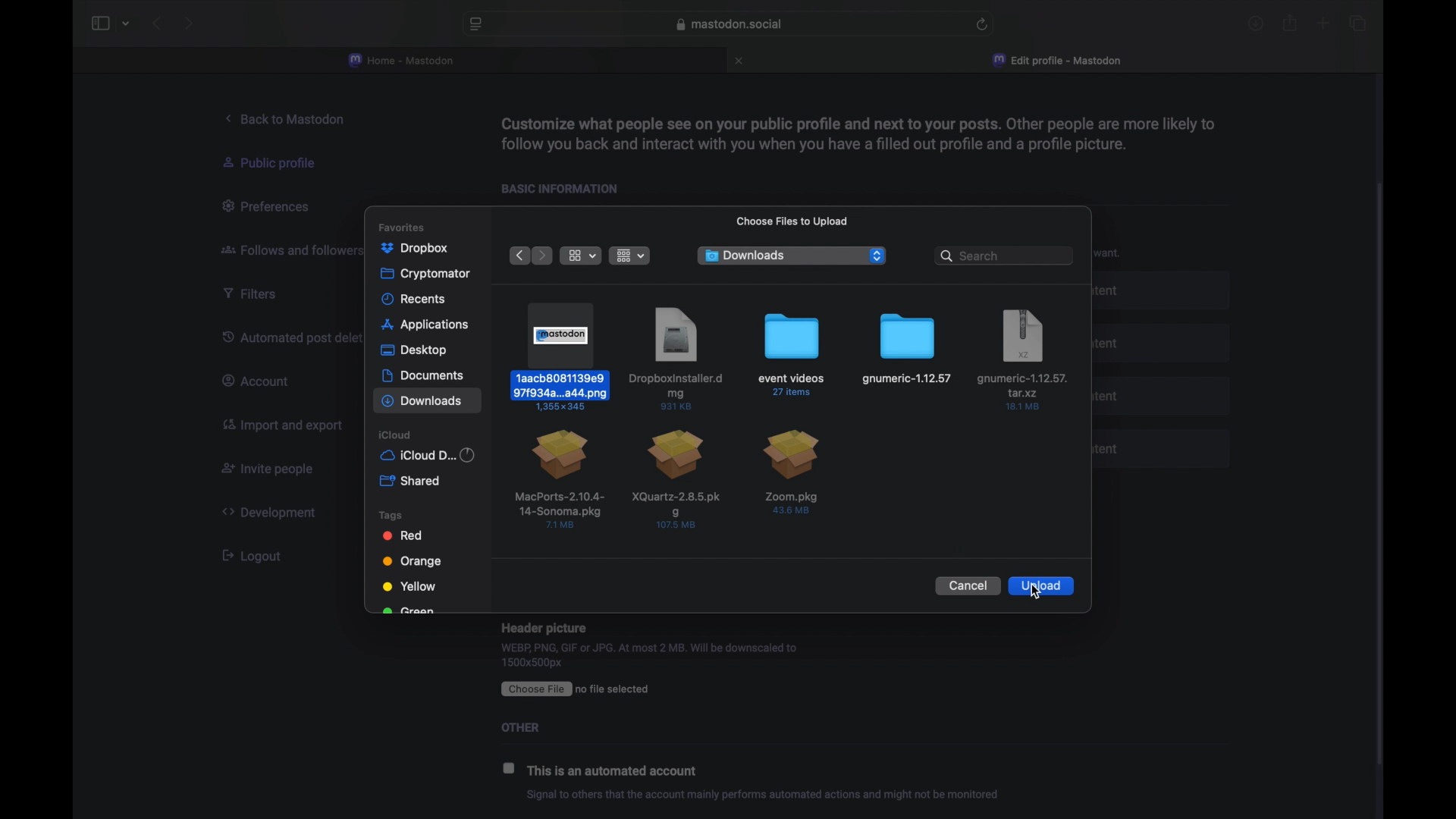 Image resolution: width=1456 pixels, height=819 pixels. What do you see at coordinates (746, 255) in the screenshot?
I see `downloads` at bounding box center [746, 255].